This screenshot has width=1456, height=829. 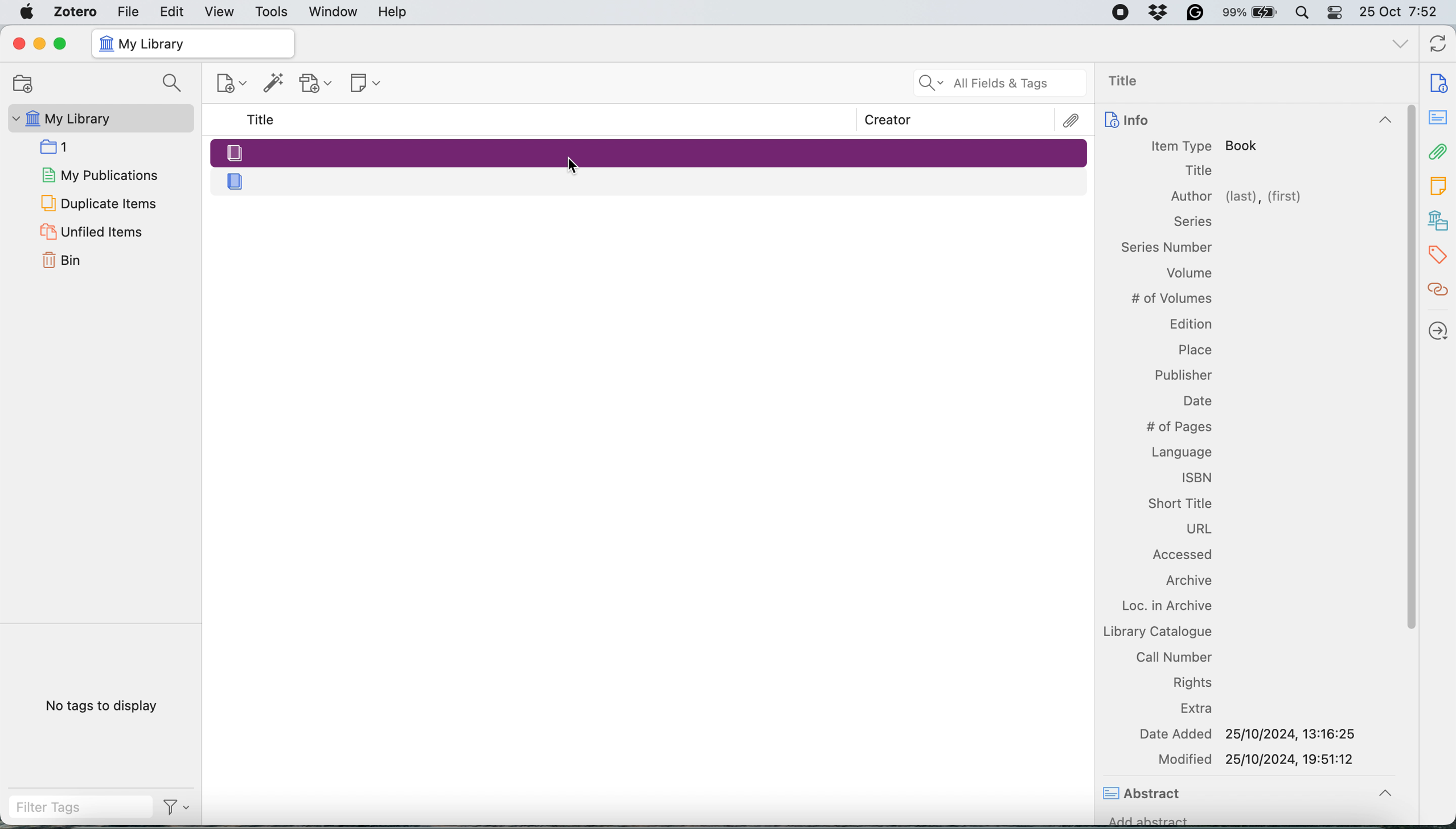 What do you see at coordinates (1439, 221) in the screenshot?
I see `Library` at bounding box center [1439, 221].